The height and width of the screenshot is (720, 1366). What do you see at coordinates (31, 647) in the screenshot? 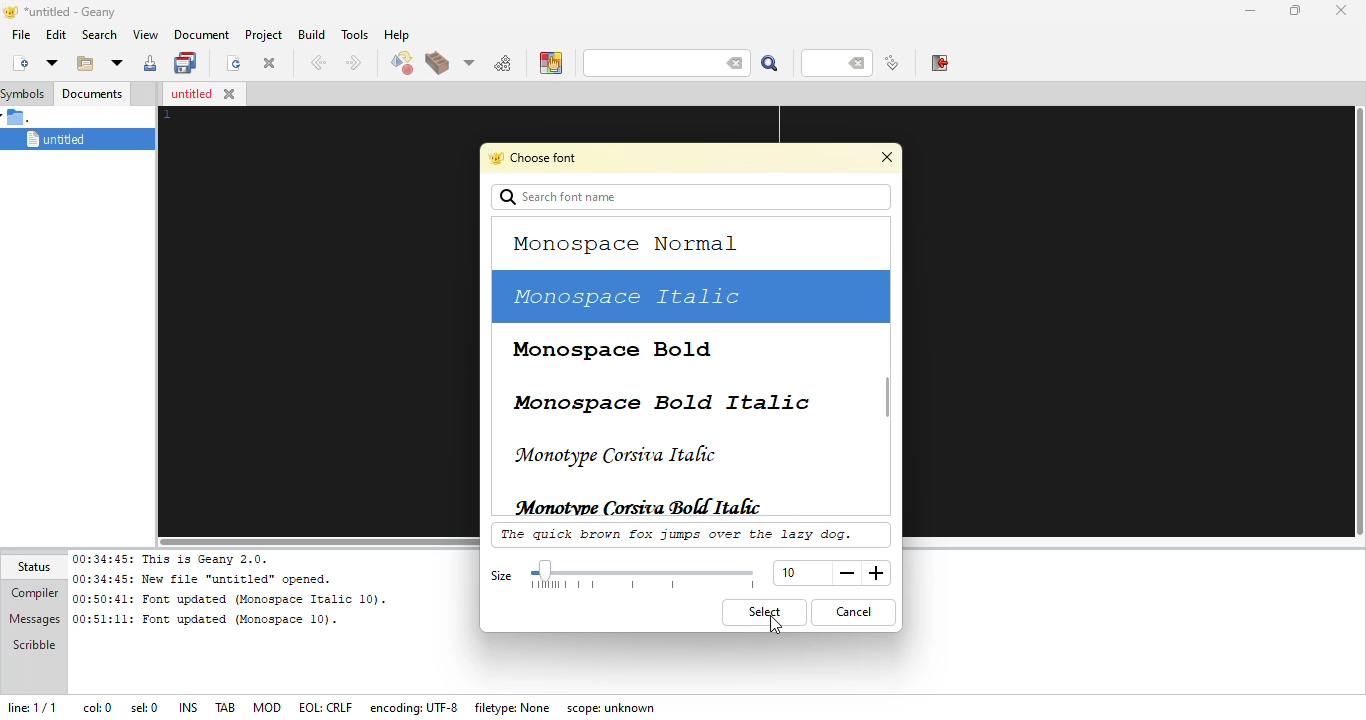
I see `scribble` at bounding box center [31, 647].